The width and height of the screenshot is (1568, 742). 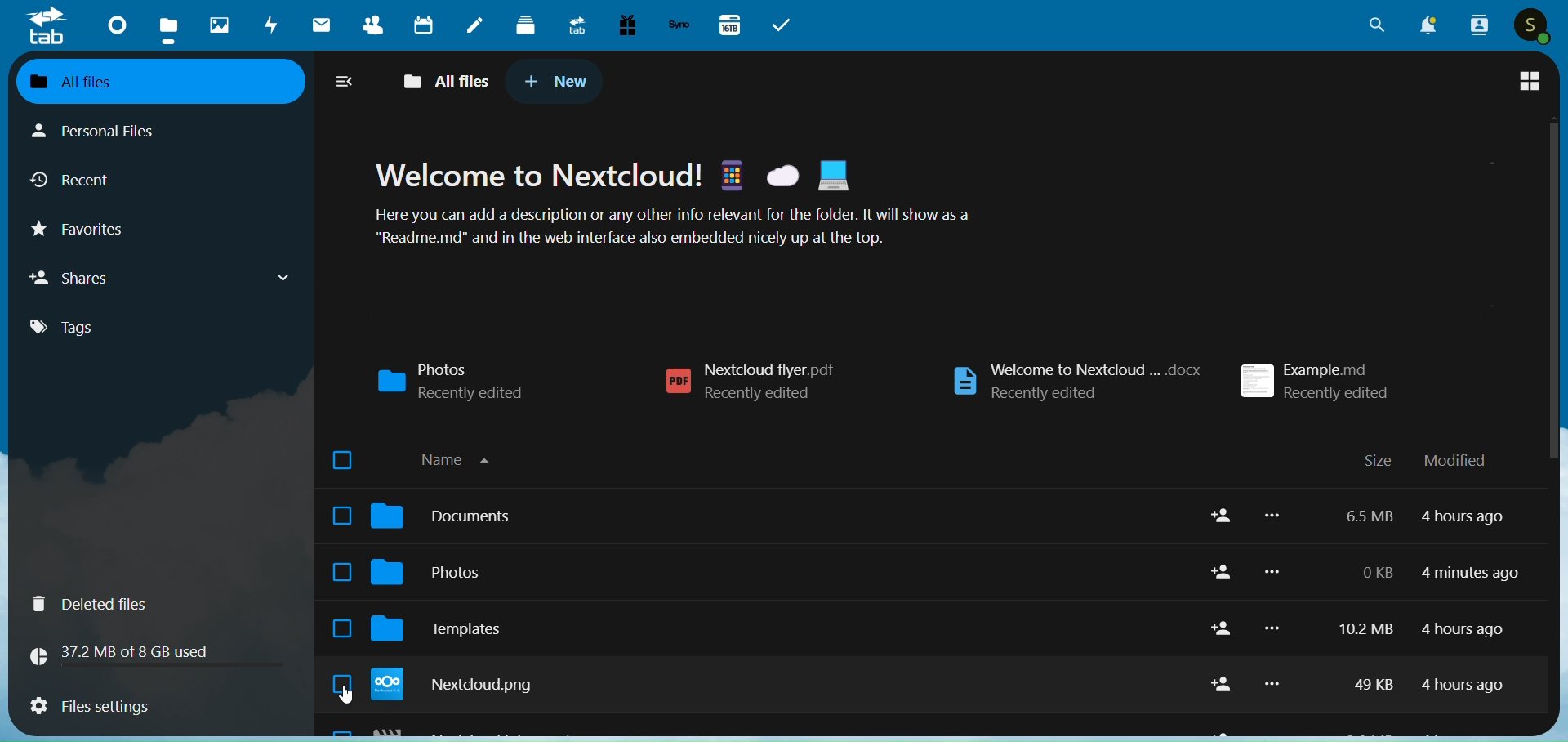 I want to click on size, so click(x=1378, y=459).